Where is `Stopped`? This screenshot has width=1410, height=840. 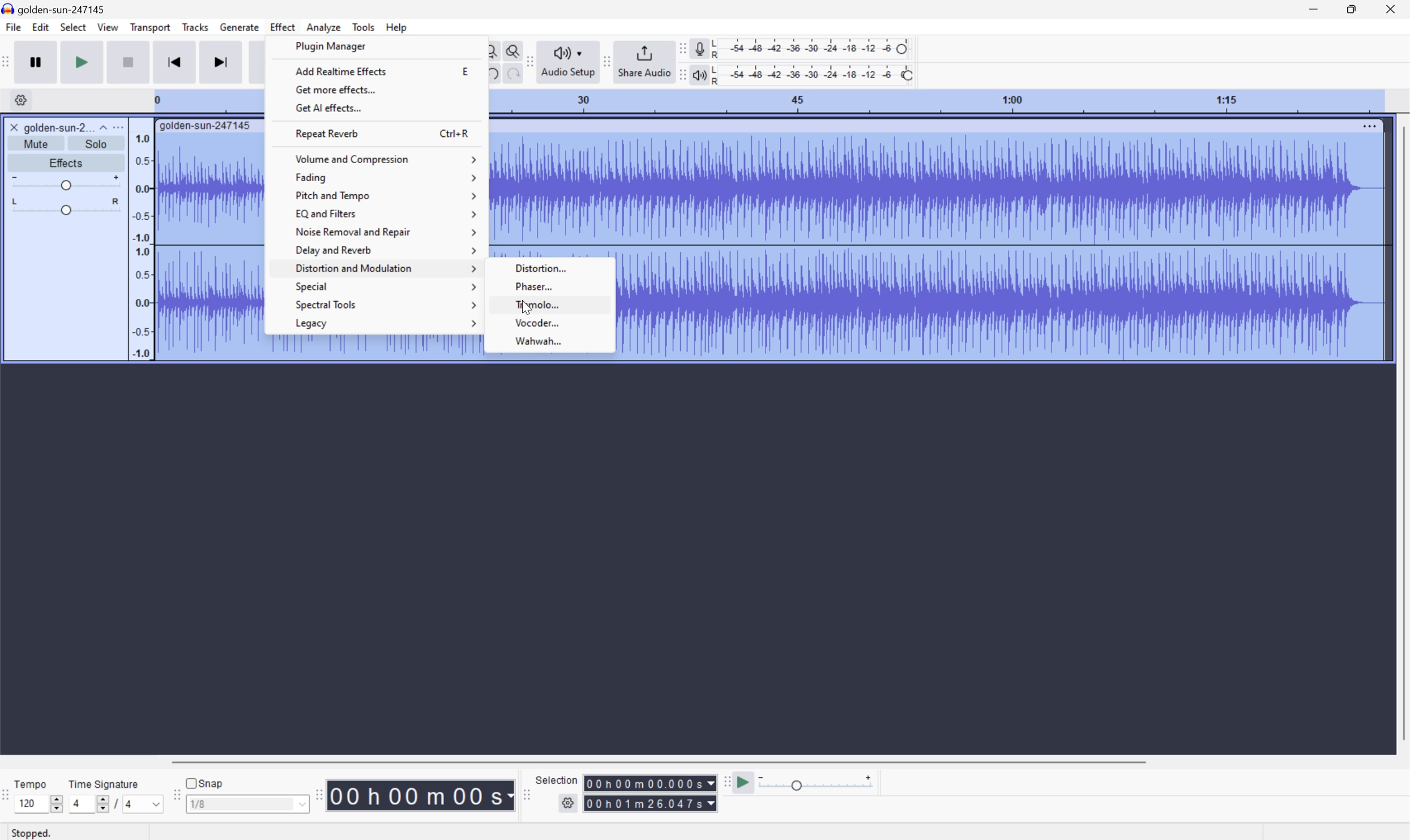
Stopped is located at coordinates (32, 833).